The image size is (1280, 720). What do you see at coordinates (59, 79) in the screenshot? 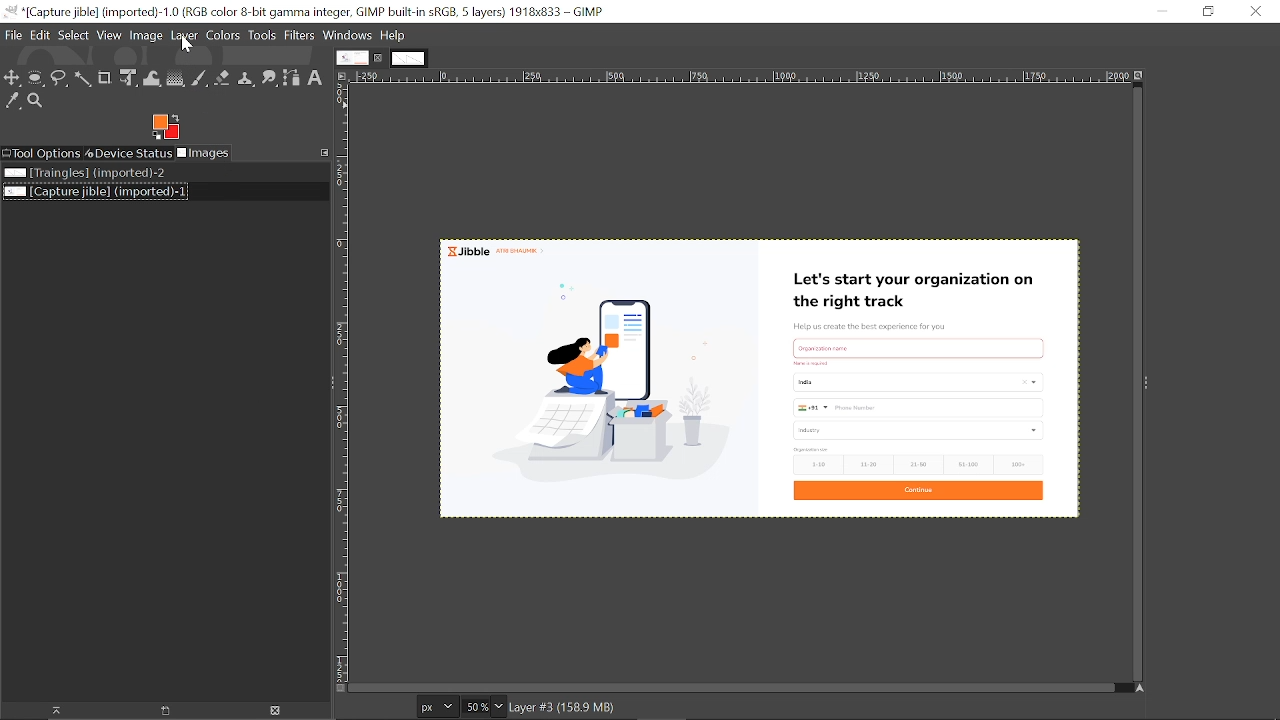
I see `Free select tool` at bounding box center [59, 79].